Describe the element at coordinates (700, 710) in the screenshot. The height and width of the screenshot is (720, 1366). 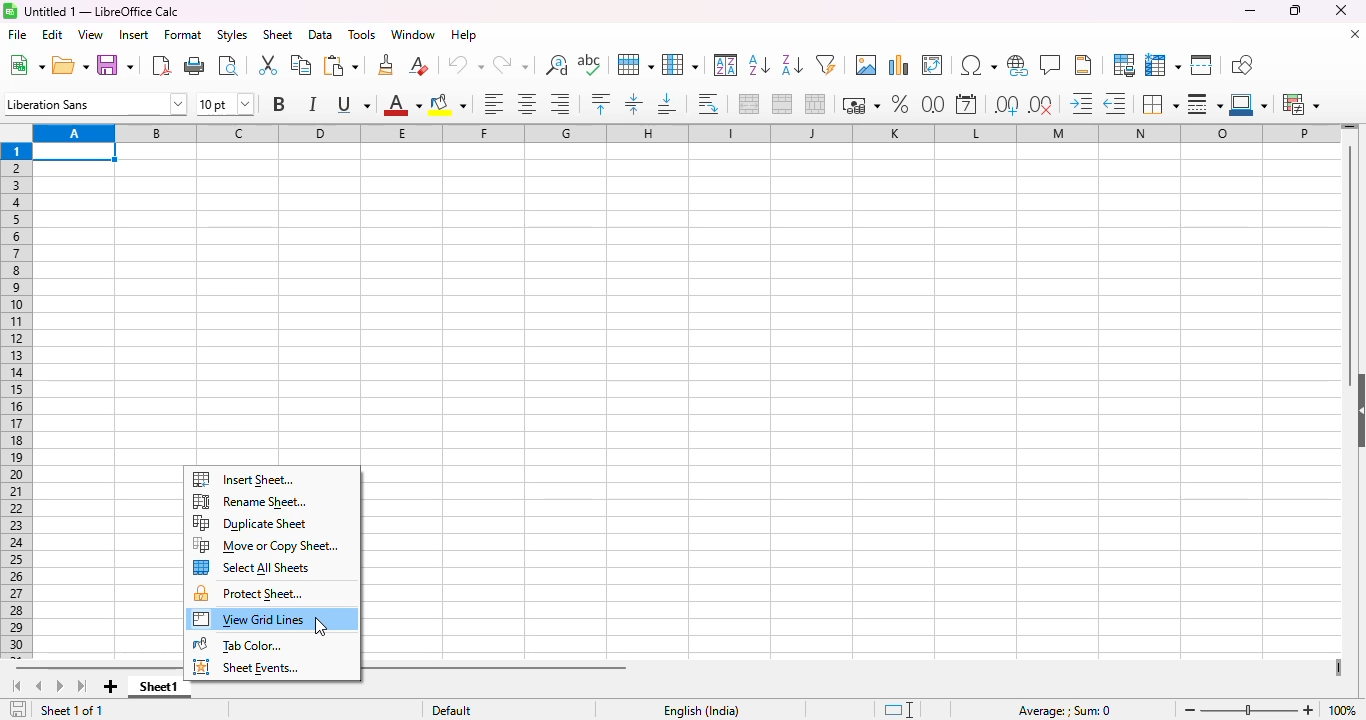
I see `text language` at that location.